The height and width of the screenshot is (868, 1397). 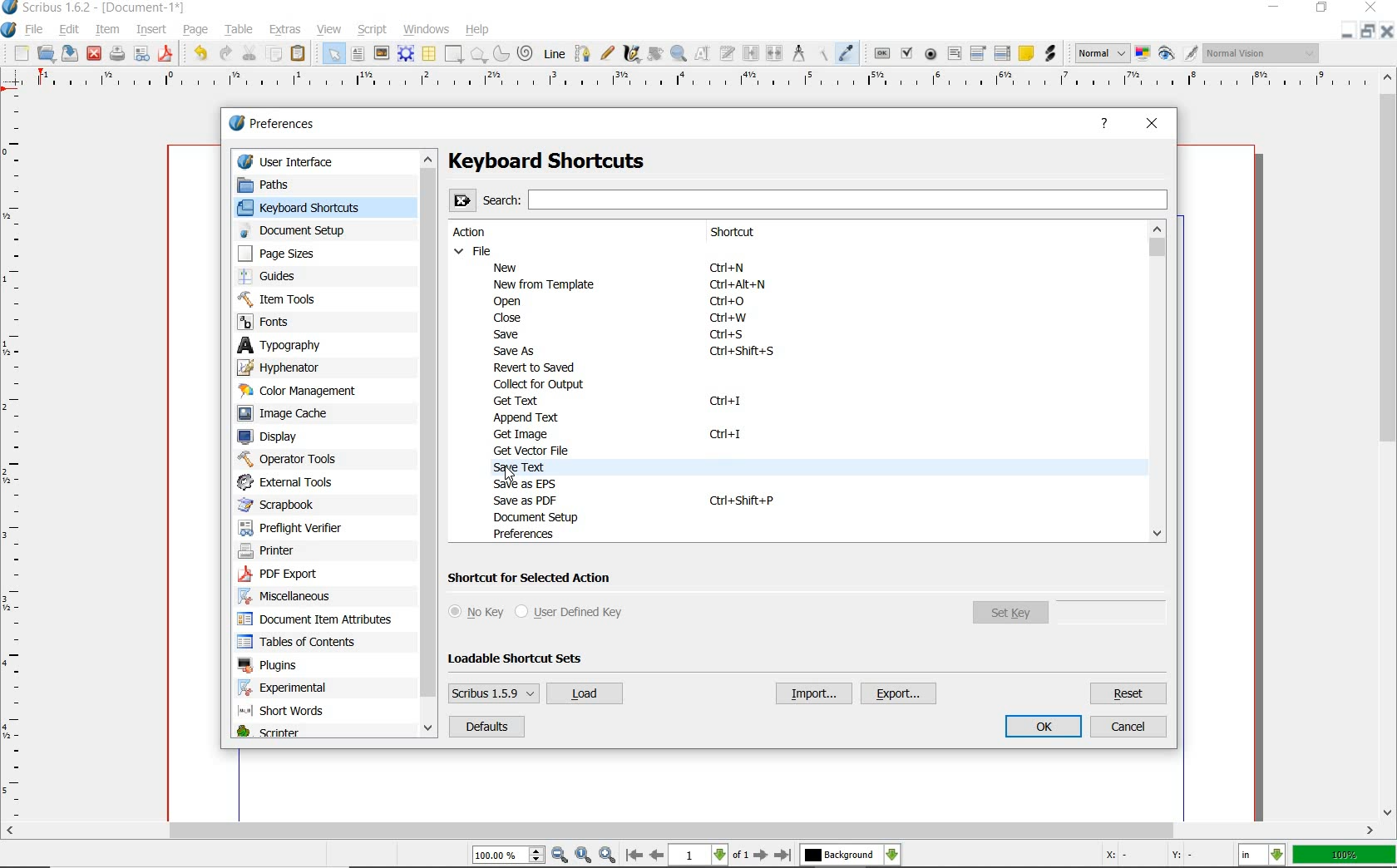 What do you see at coordinates (477, 233) in the screenshot?
I see `action` at bounding box center [477, 233].